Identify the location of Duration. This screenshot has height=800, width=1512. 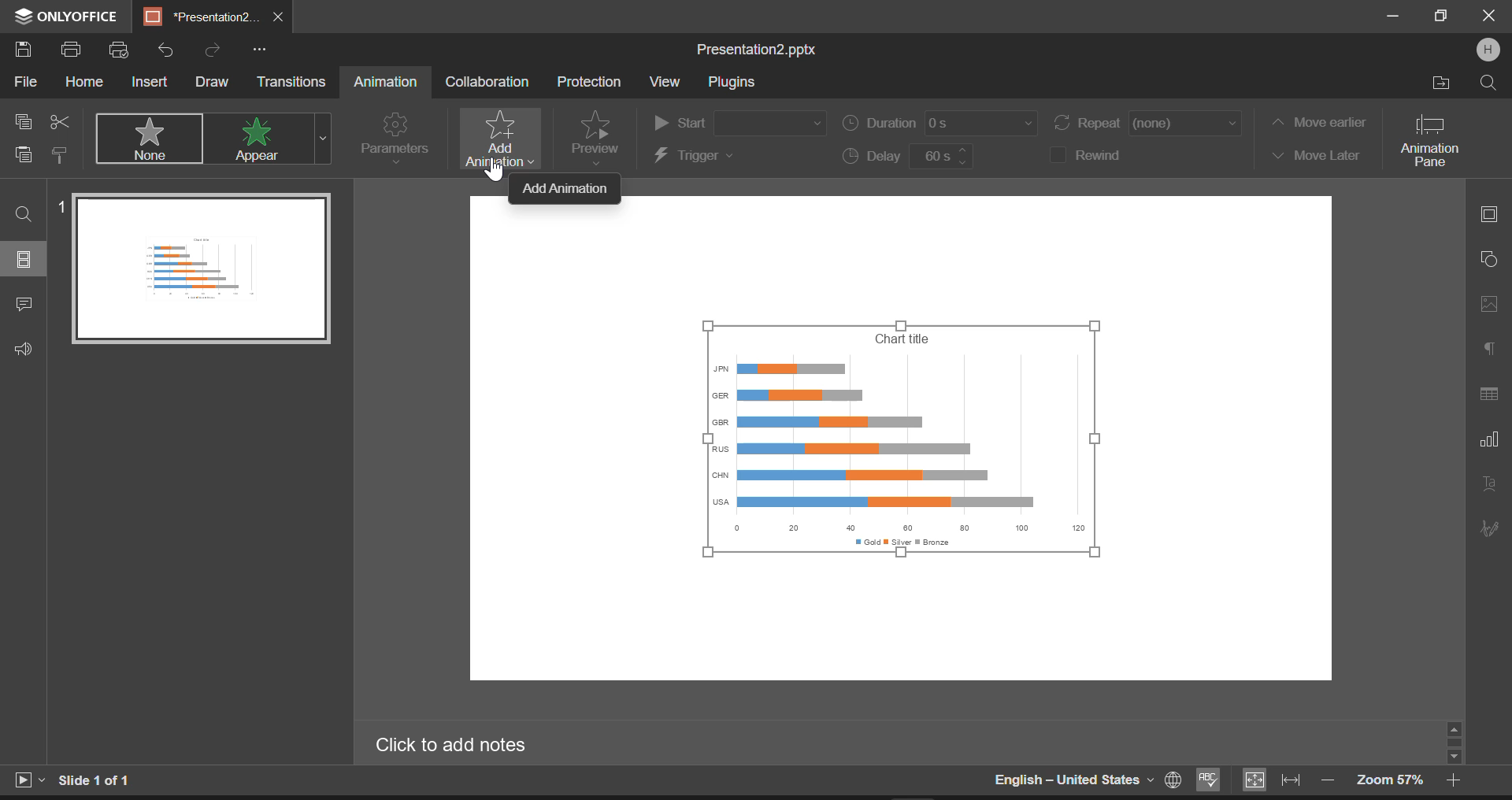
(941, 126).